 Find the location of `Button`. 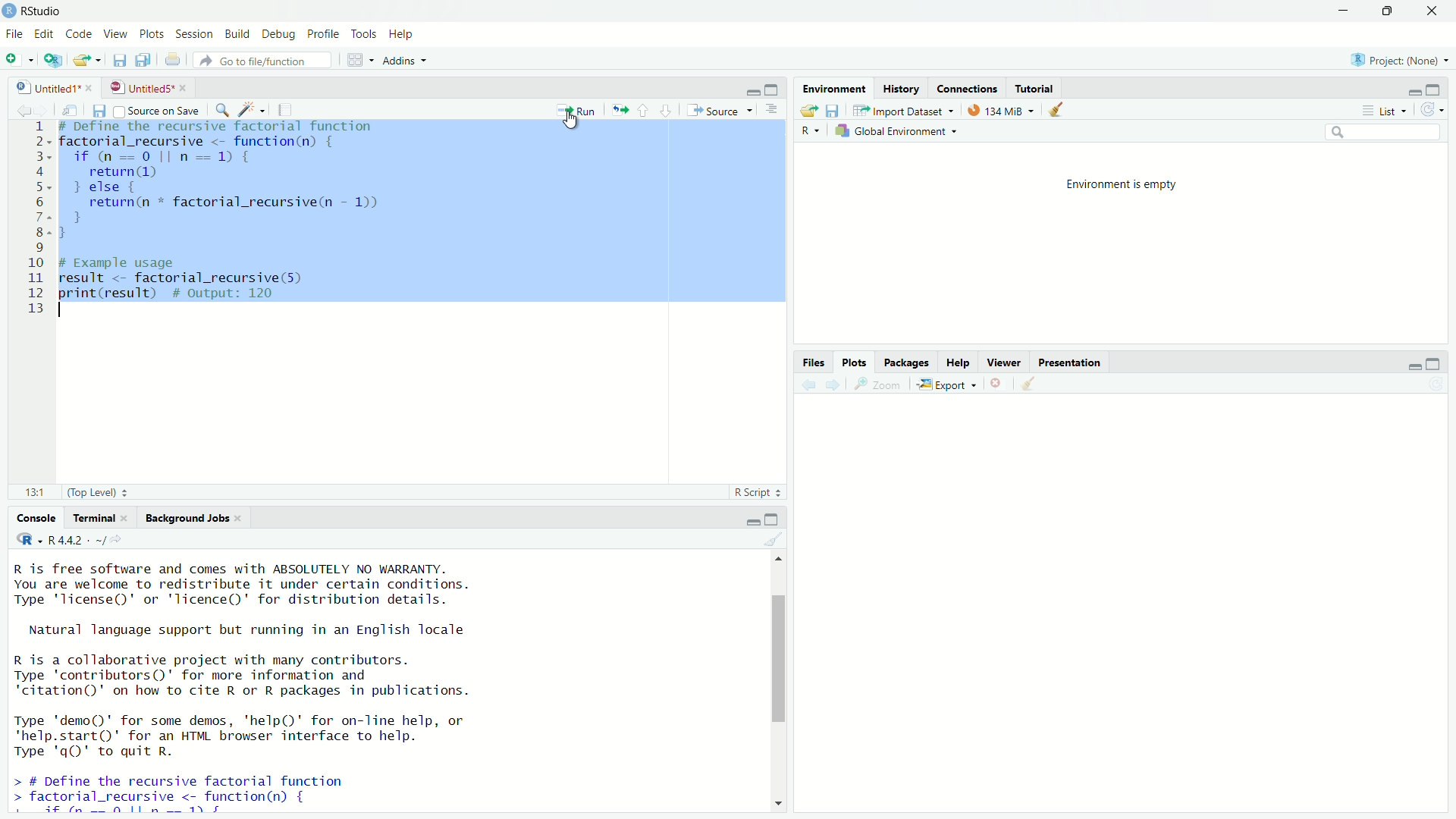

Button is located at coordinates (999, 382).